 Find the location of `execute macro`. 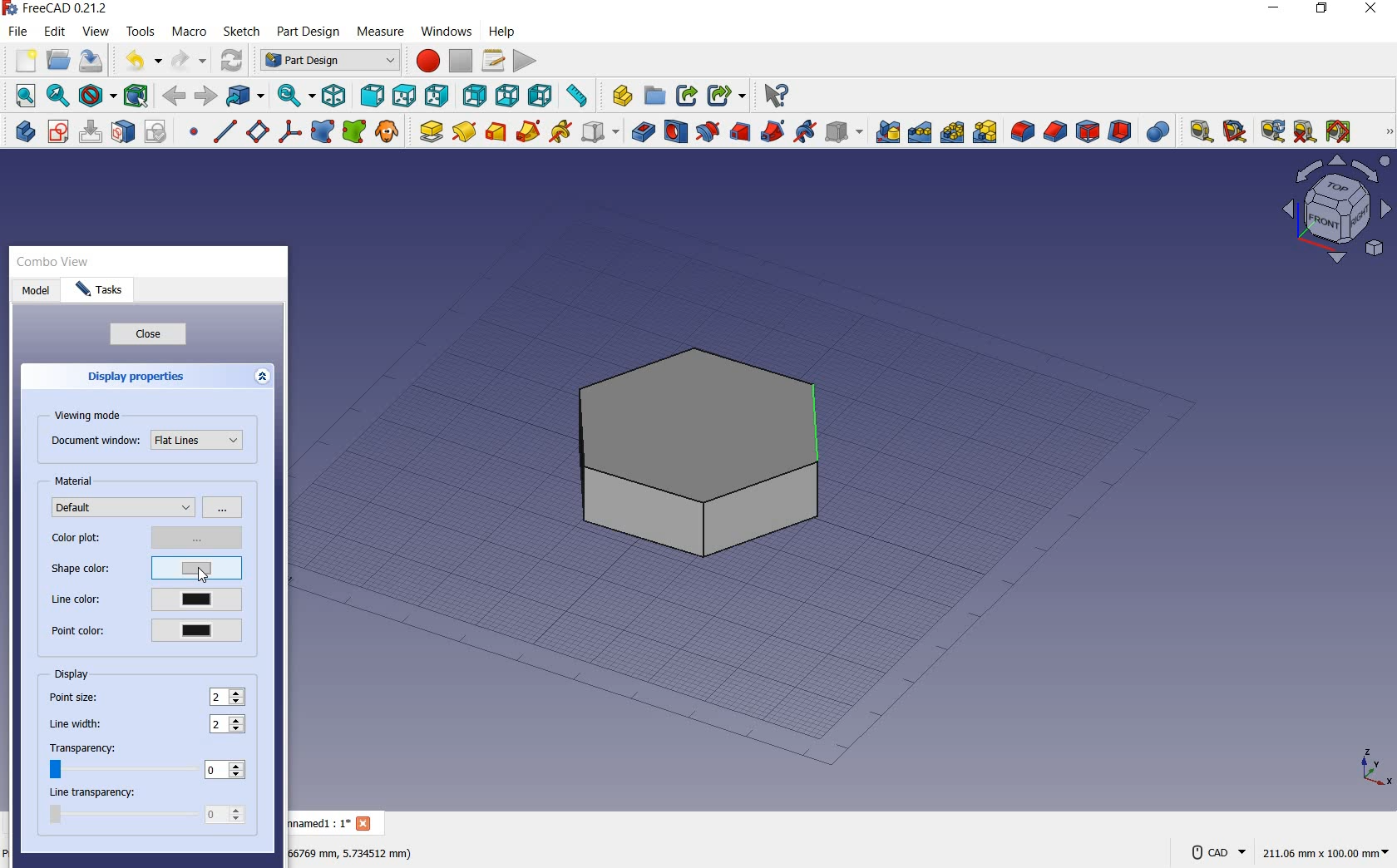

execute macro is located at coordinates (526, 62).